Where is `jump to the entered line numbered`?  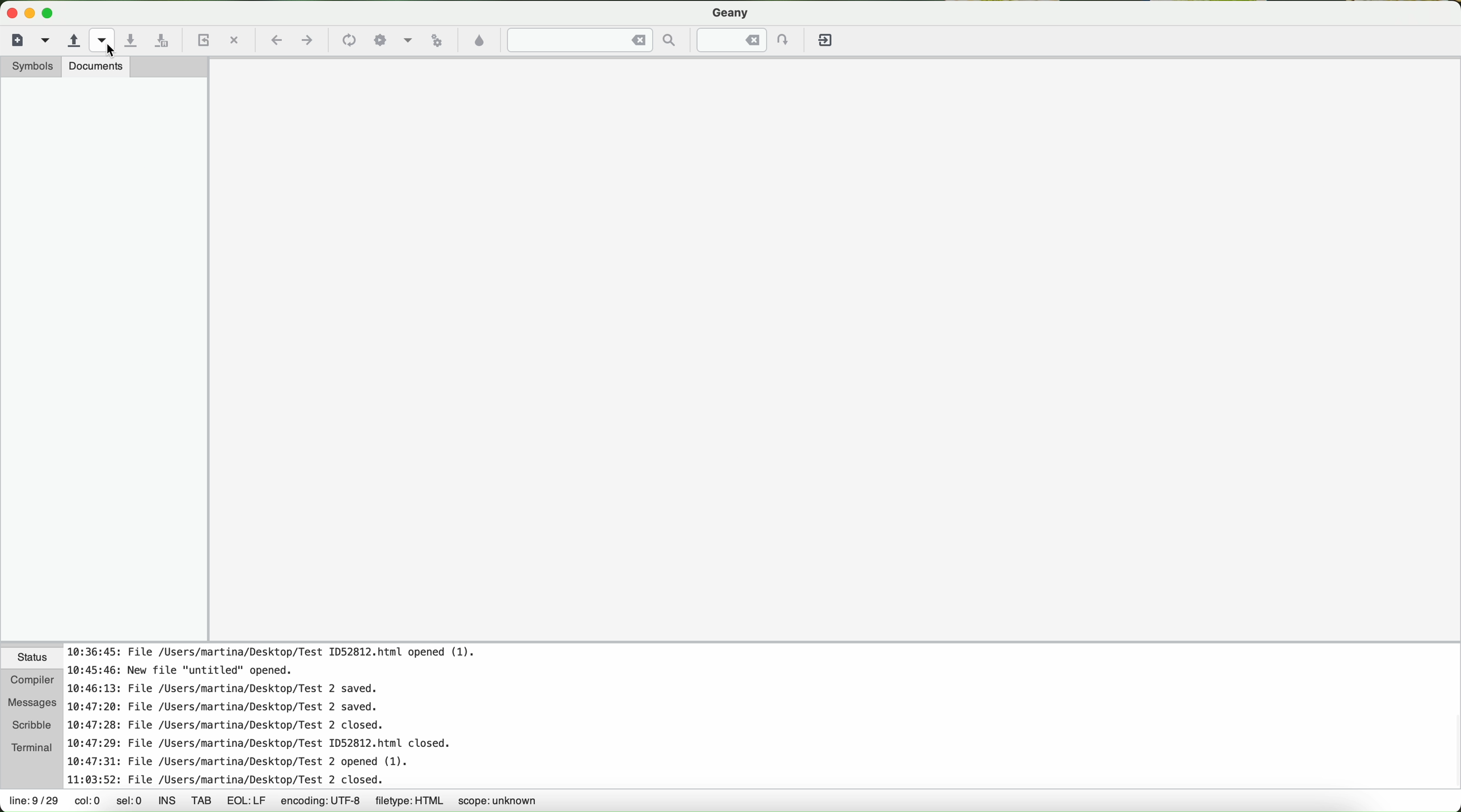 jump to the entered line numbered is located at coordinates (746, 40).